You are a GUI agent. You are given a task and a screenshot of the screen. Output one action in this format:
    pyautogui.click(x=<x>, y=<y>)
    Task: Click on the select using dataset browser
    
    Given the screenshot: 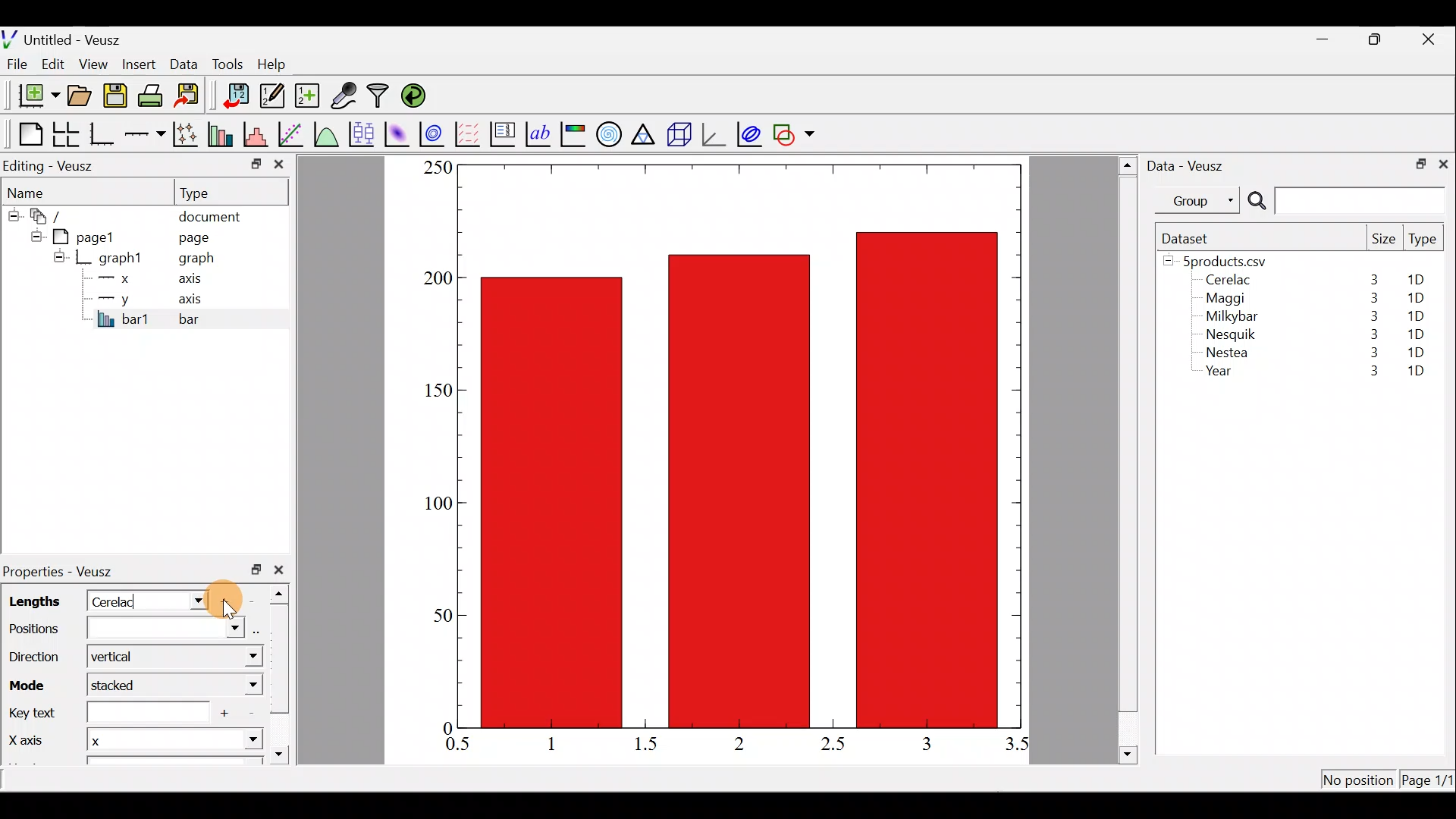 What is the action you would take?
    pyautogui.click(x=259, y=629)
    